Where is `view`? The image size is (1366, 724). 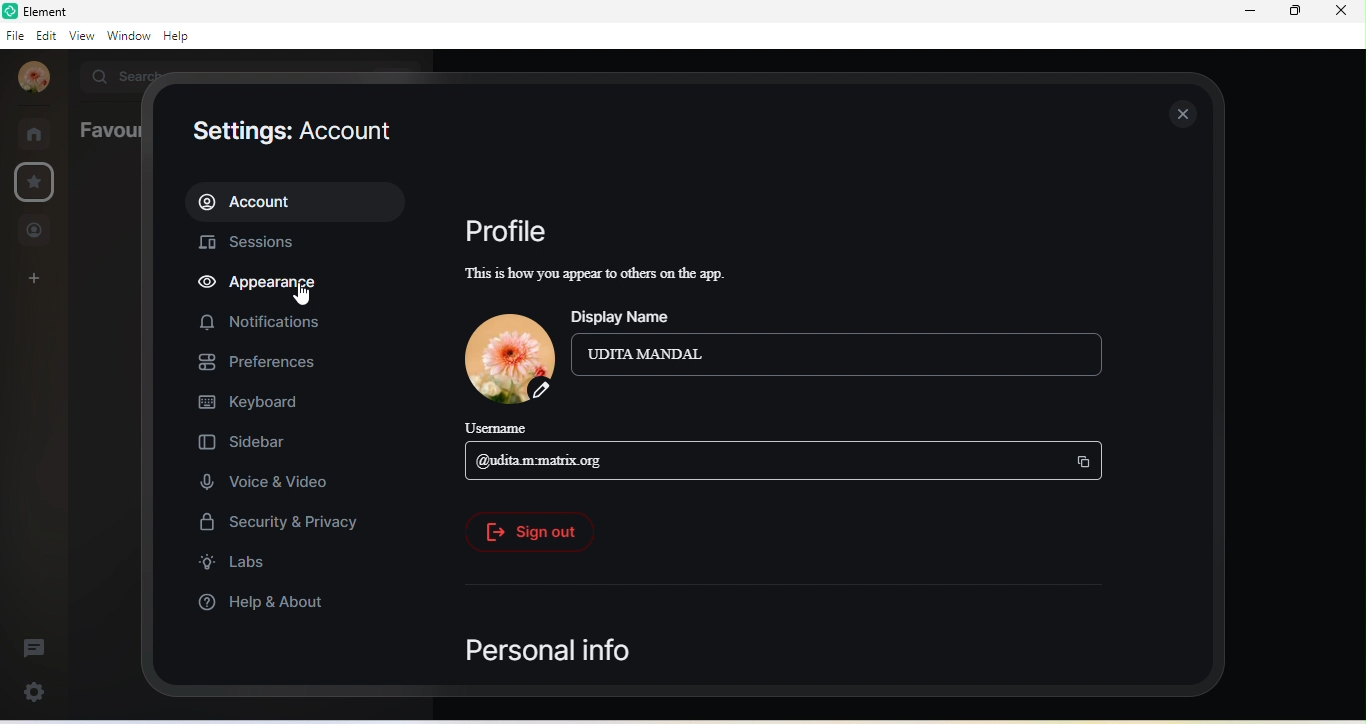
view is located at coordinates (78, 35).